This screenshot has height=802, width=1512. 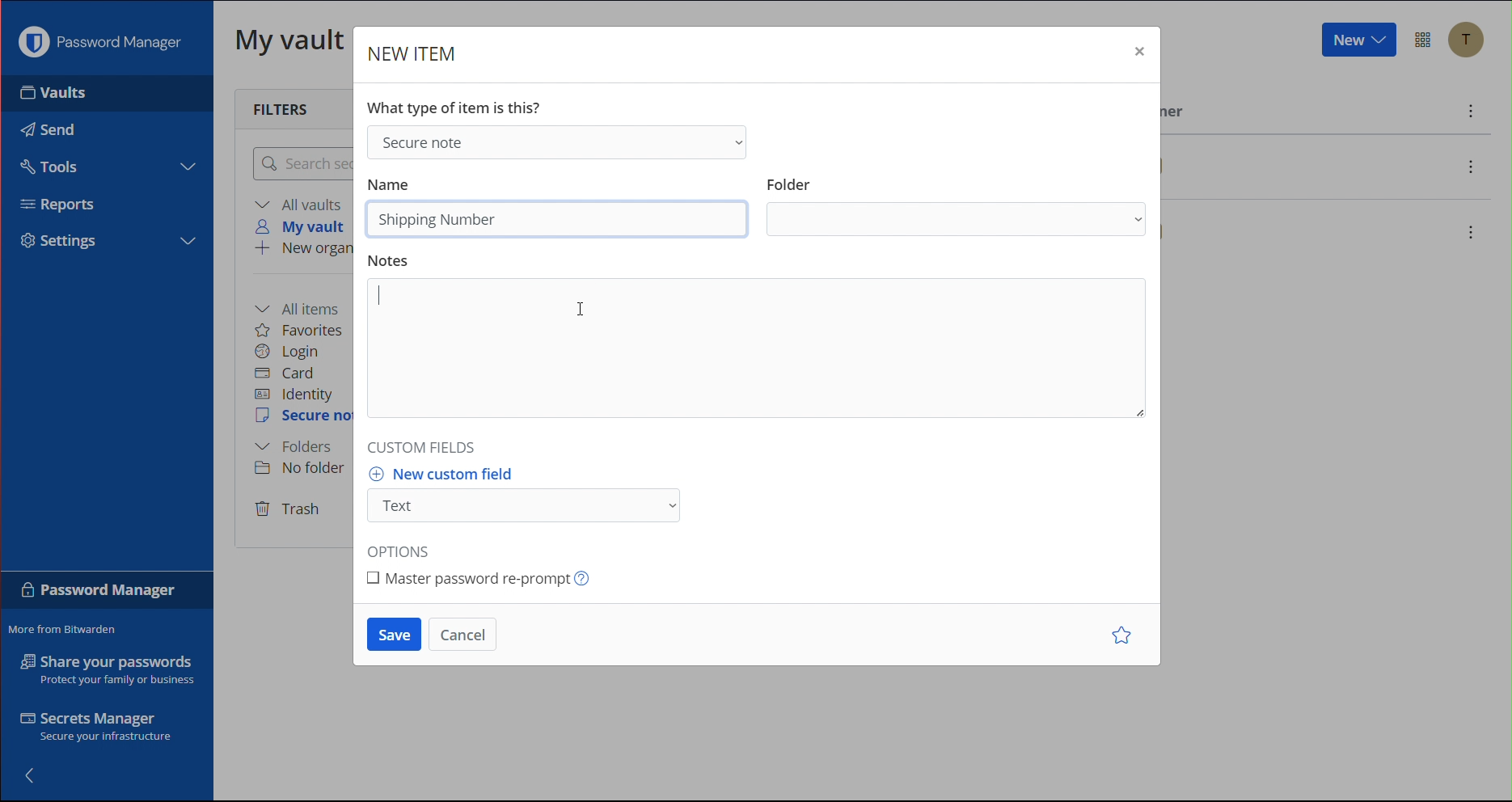 What do you see at coordinates (299, 471) in the screenshot?
I see `No folder` at bounding box center [299, 471].